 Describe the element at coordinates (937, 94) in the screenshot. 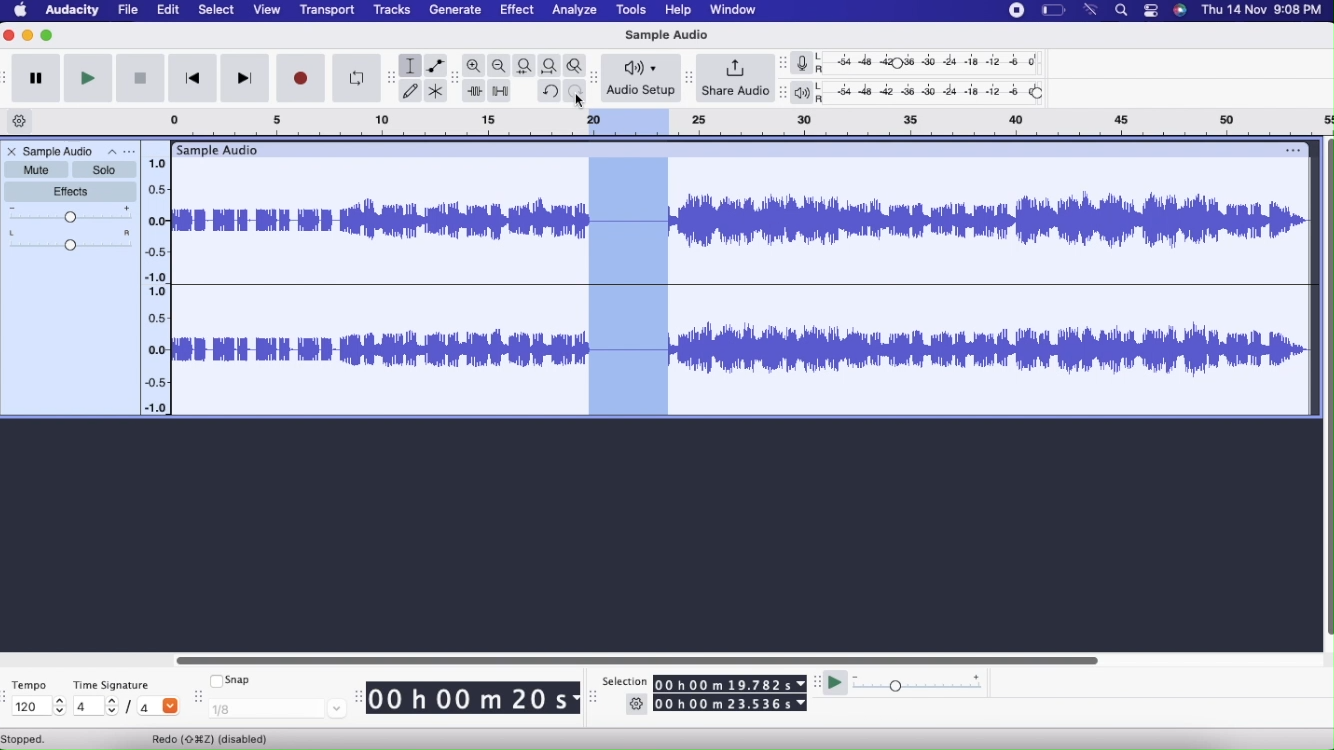

I see `Playback level` at that location.